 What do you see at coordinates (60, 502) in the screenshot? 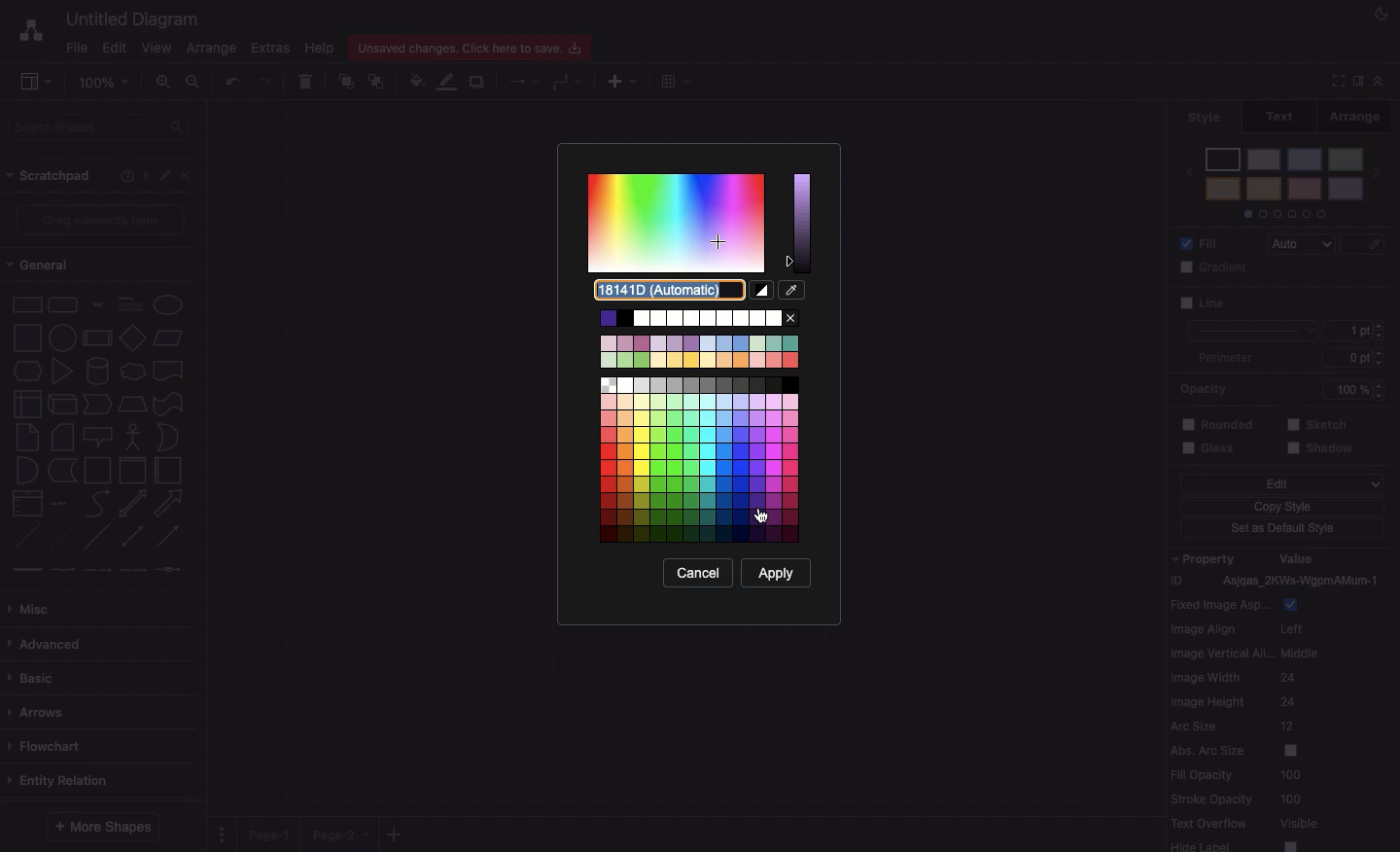
I see `list item` at bounding box center [60, 502].